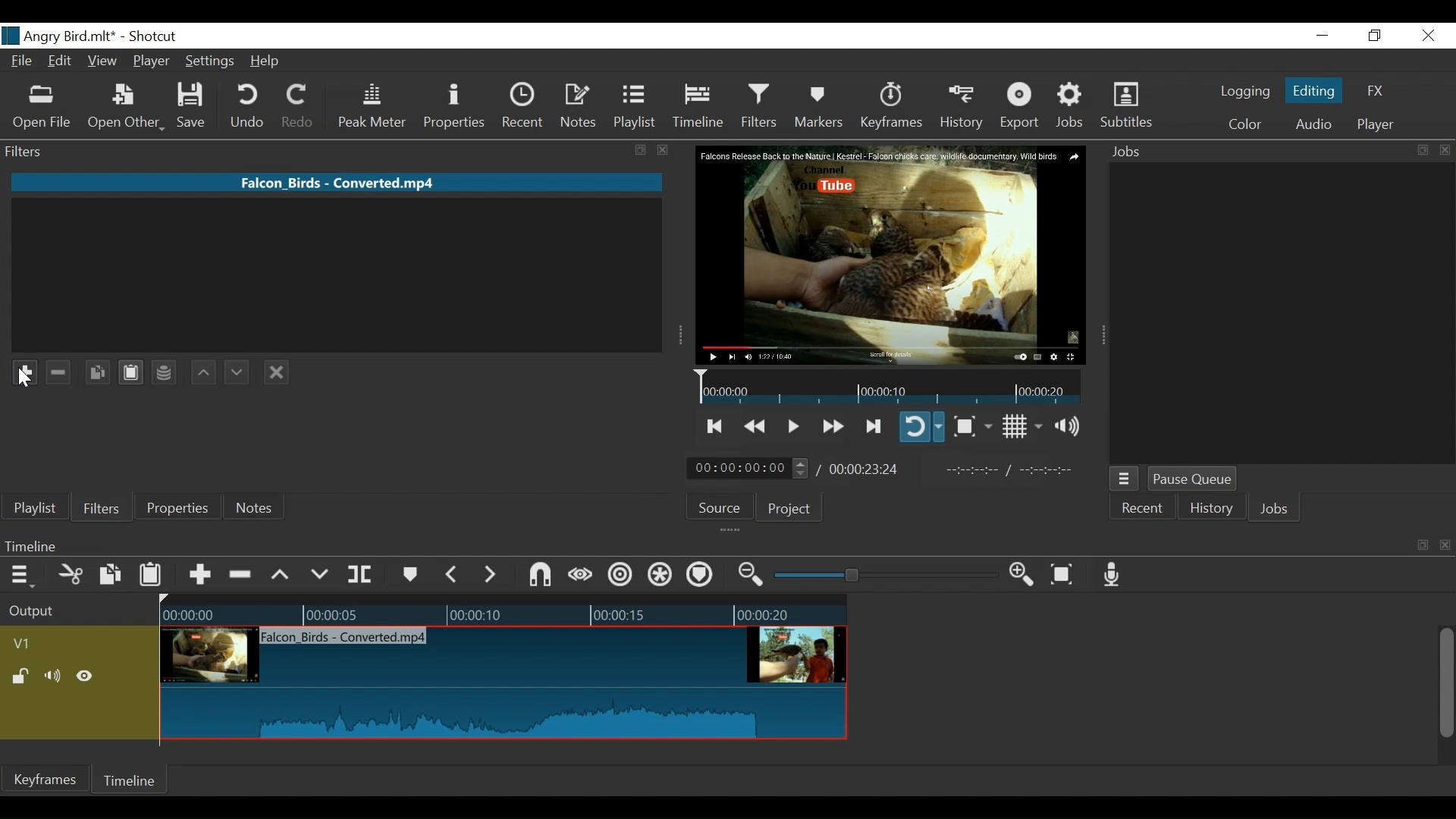 This screenshot has width=1456, height=819. I want to click on Add a filter, so click(24, 369).